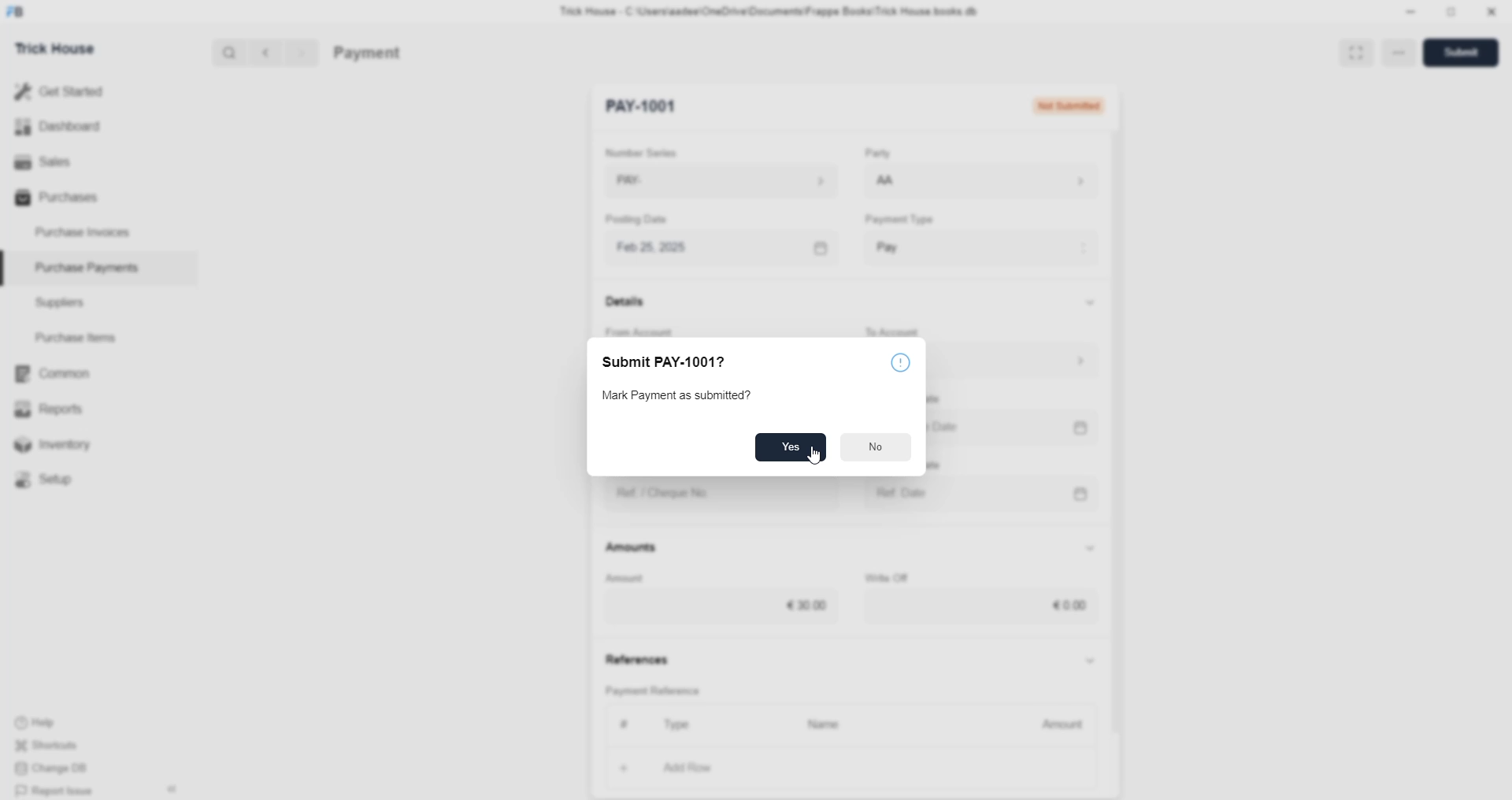 This screenshot has height=800, width=1512. Describe the element at coordinates (876, 154) in the screenshot. I see `Party` at that location.